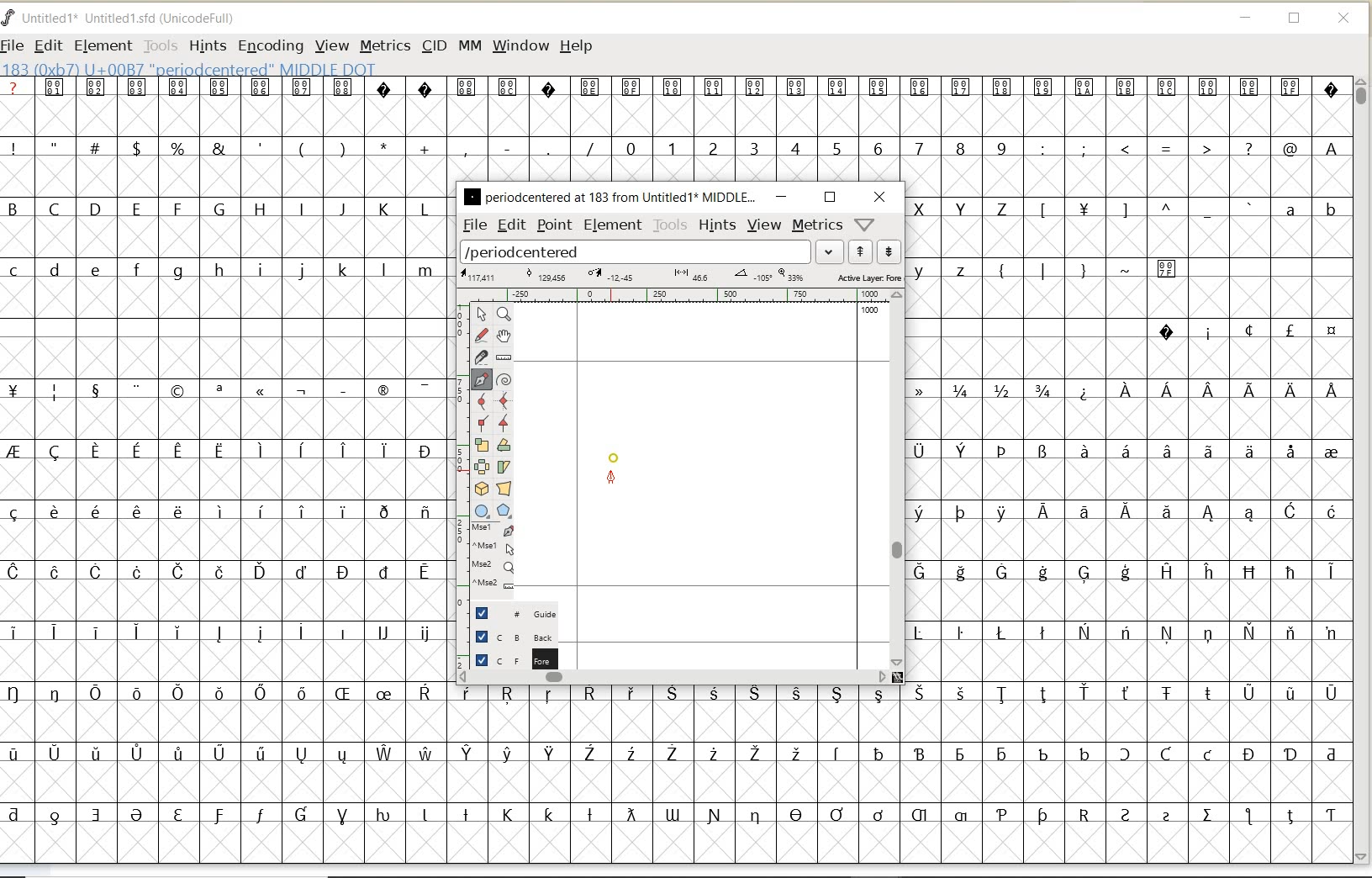 This screenshot has width=1372, height=878. I want to click on special characters, so click(1131, 526).